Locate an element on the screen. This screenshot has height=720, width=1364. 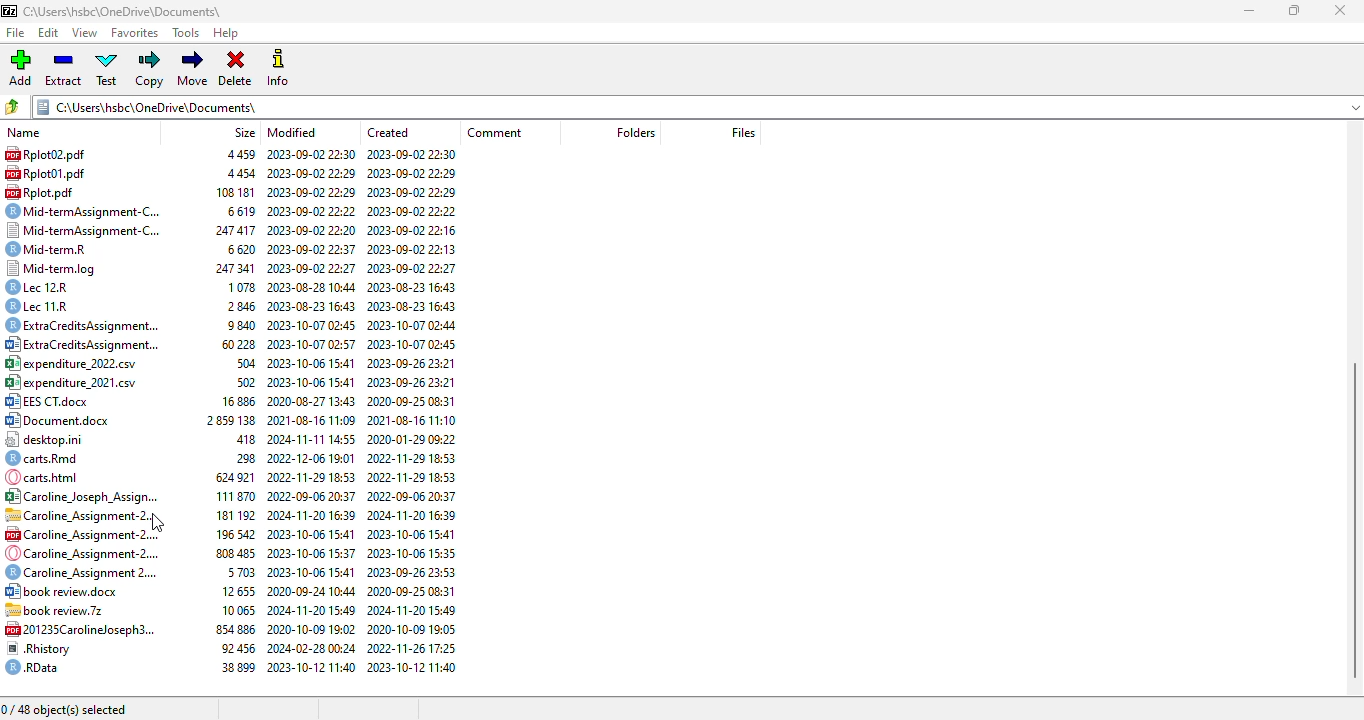
2023-00-02 22:29 is located at coordinates (413, 190).